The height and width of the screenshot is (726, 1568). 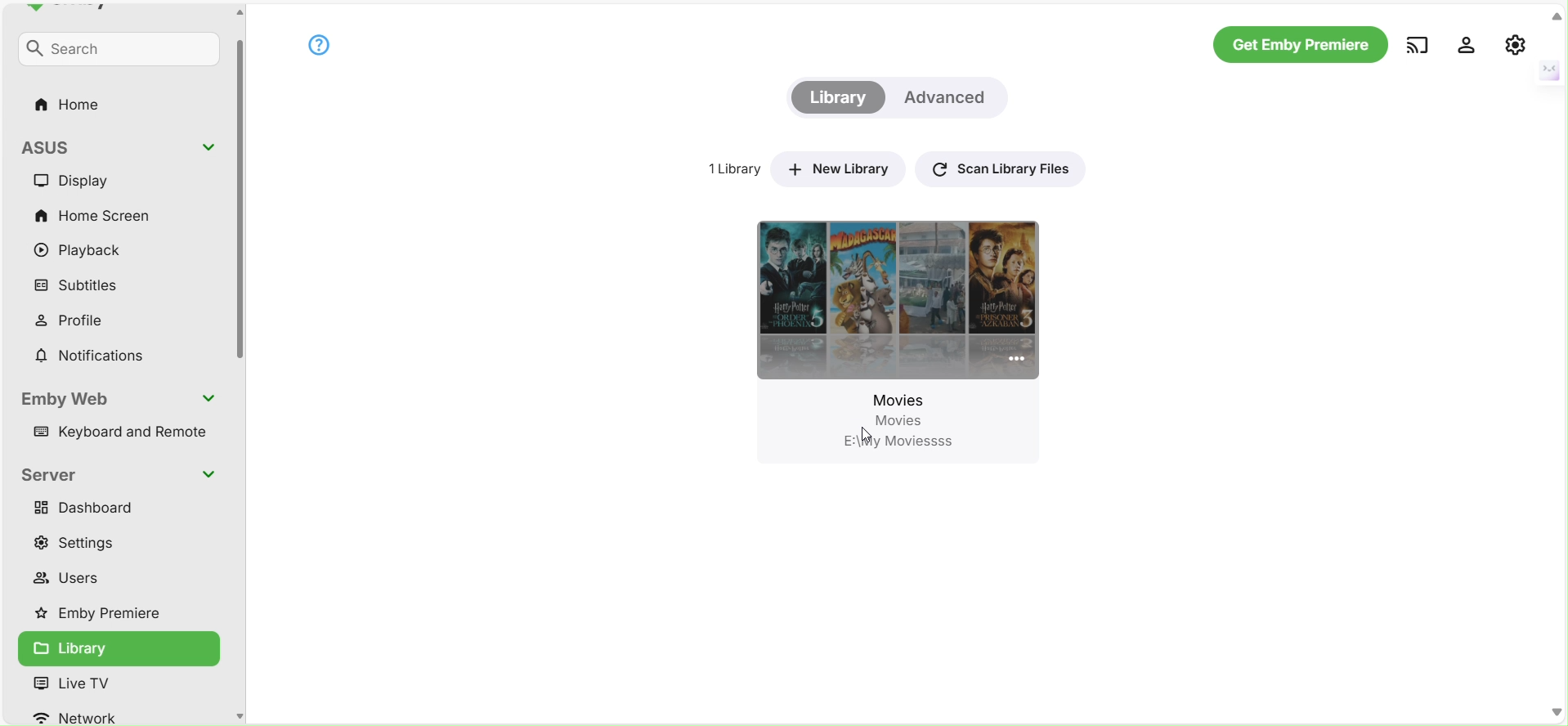 I want to click on Add New Libray, so click(x=843, y=168).